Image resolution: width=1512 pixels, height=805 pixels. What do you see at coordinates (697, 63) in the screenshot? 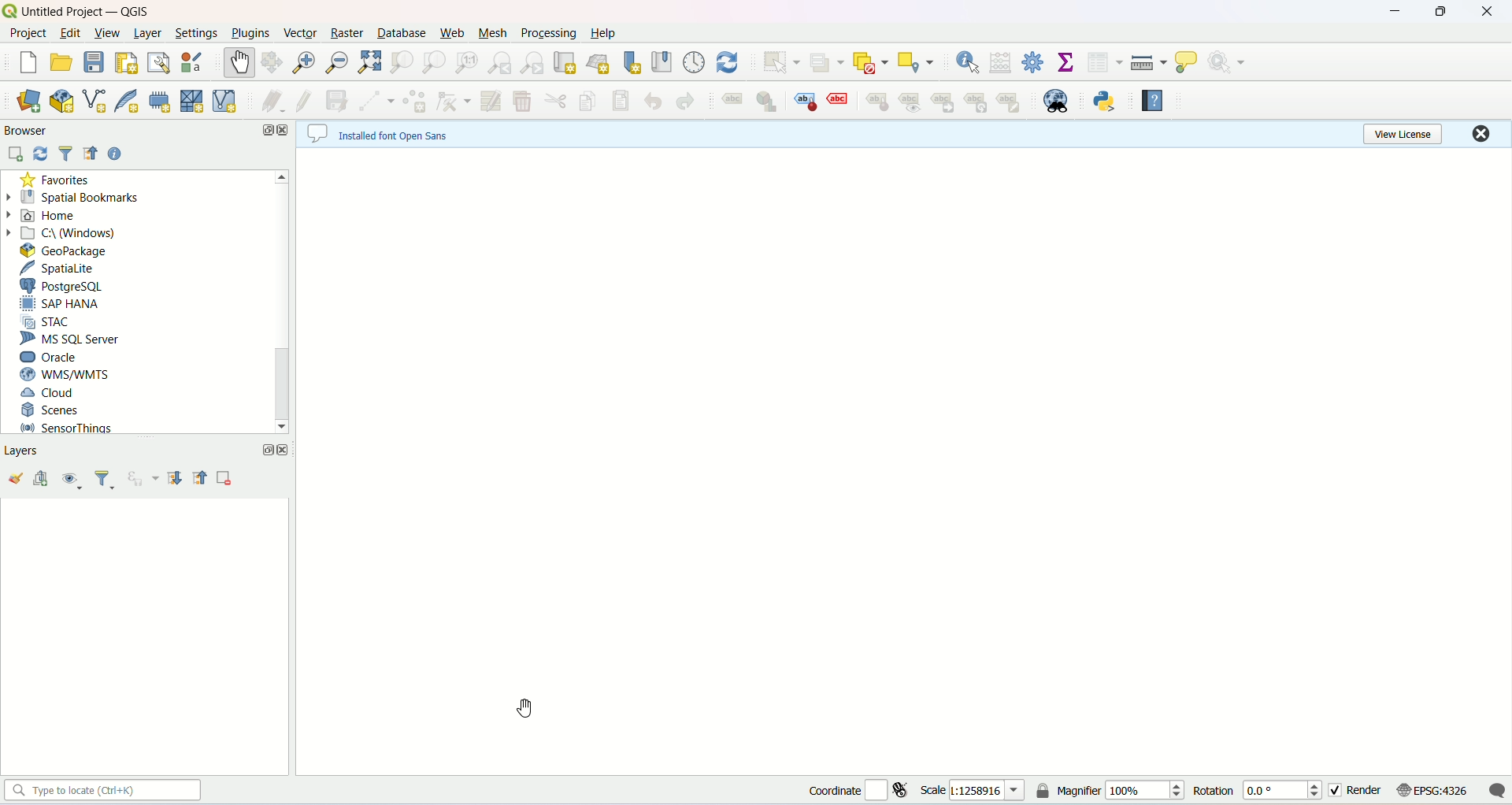
I see `temporal controller panel` at bounding box center [697, 63].